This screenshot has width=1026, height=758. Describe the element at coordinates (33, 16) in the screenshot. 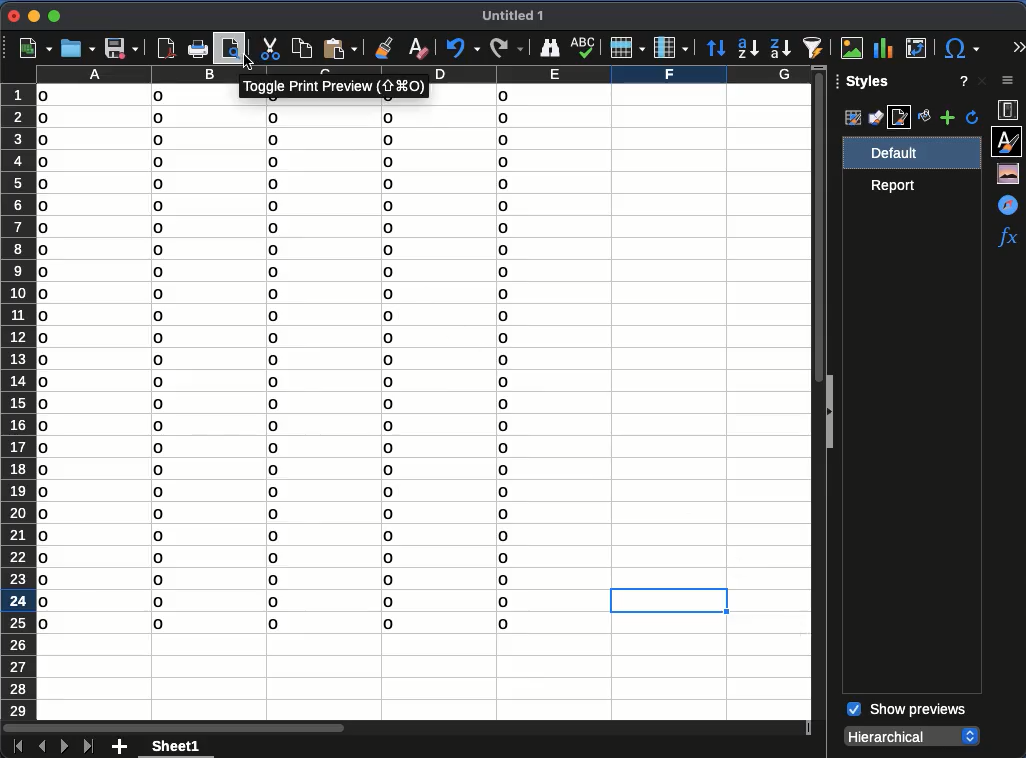

I see `minimize` at that location.